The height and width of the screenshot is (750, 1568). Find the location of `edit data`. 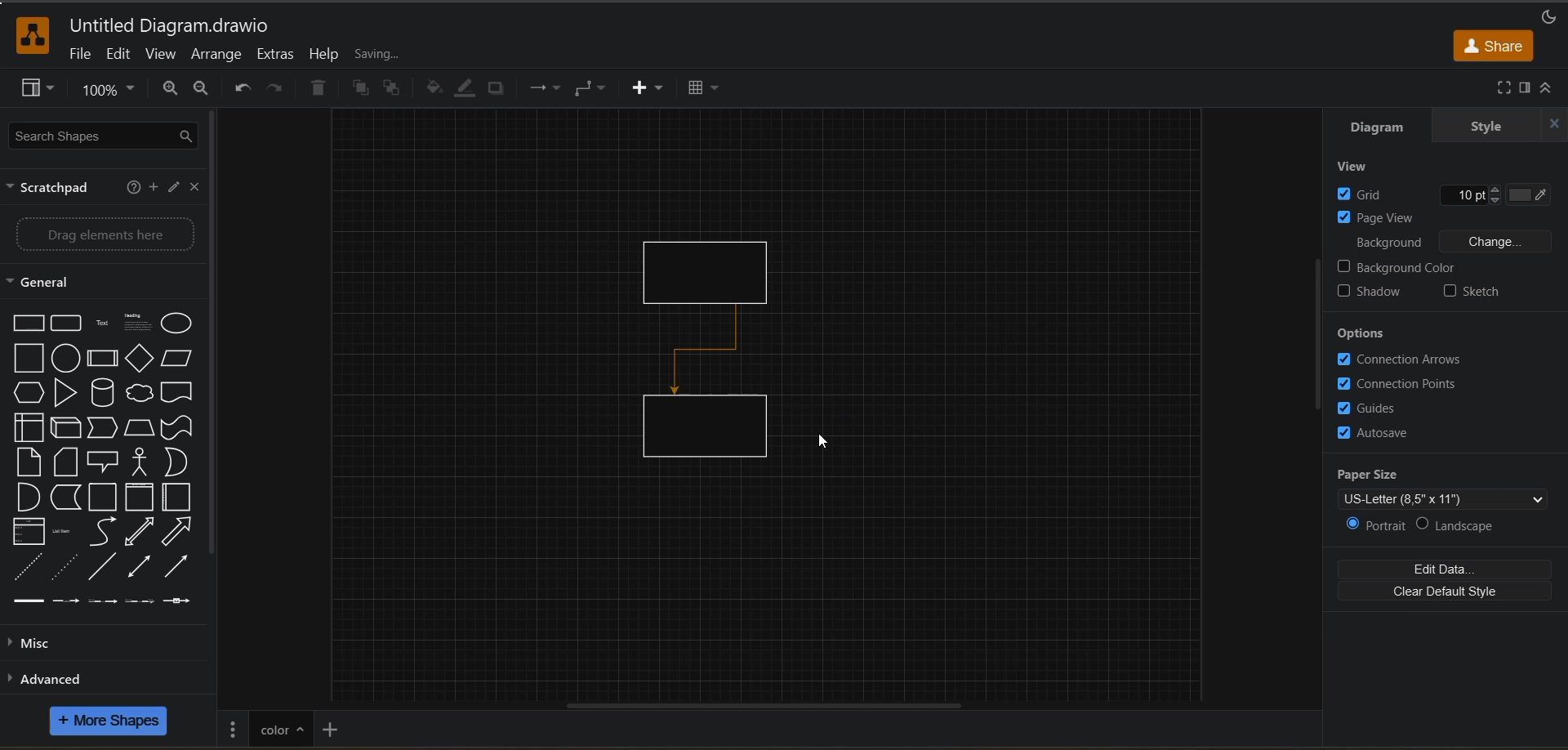

edit data is located at coordinates (1448, 568).